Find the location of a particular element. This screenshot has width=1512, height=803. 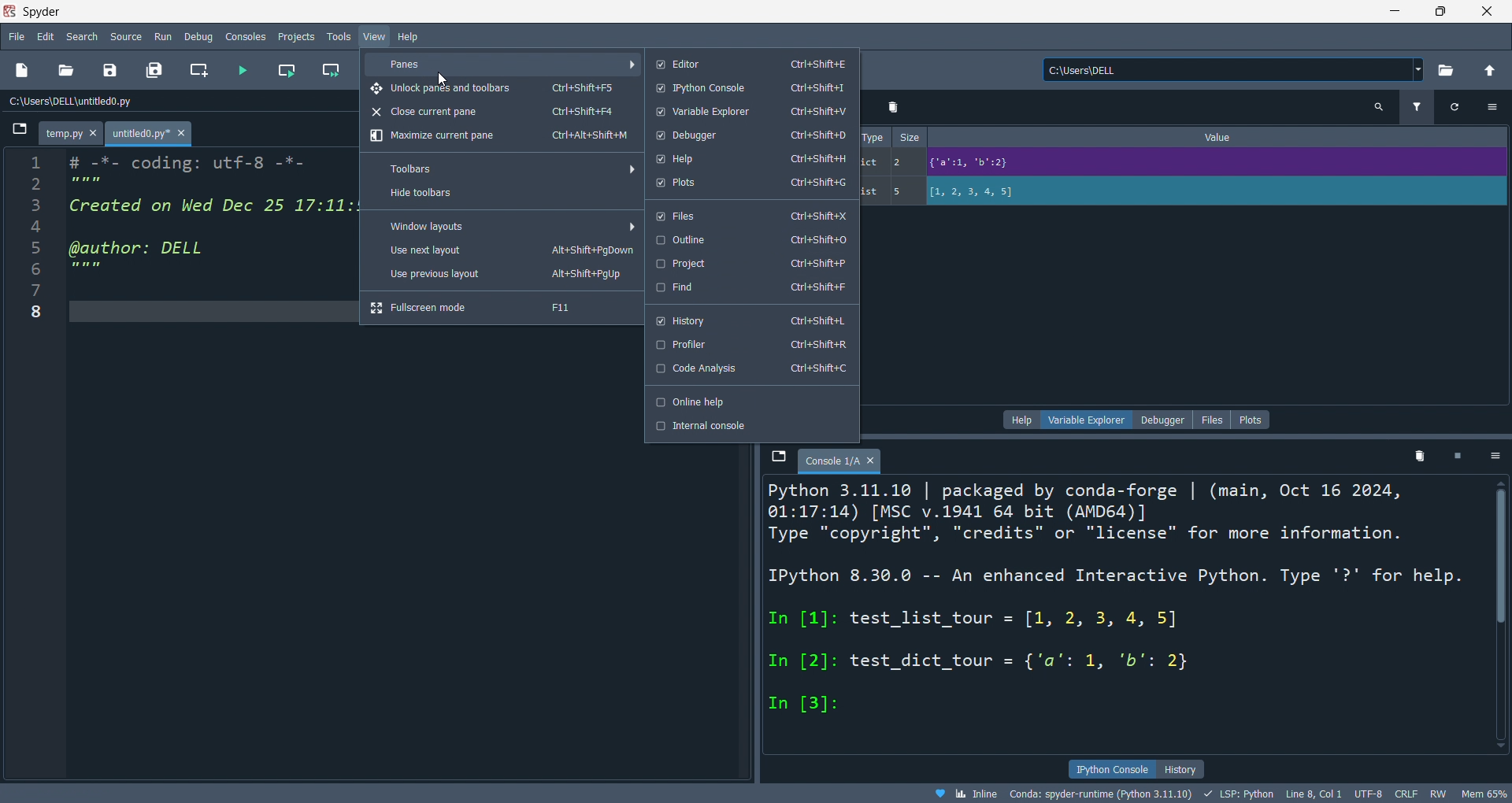

browse tabs is located at coordinates (778, 457).